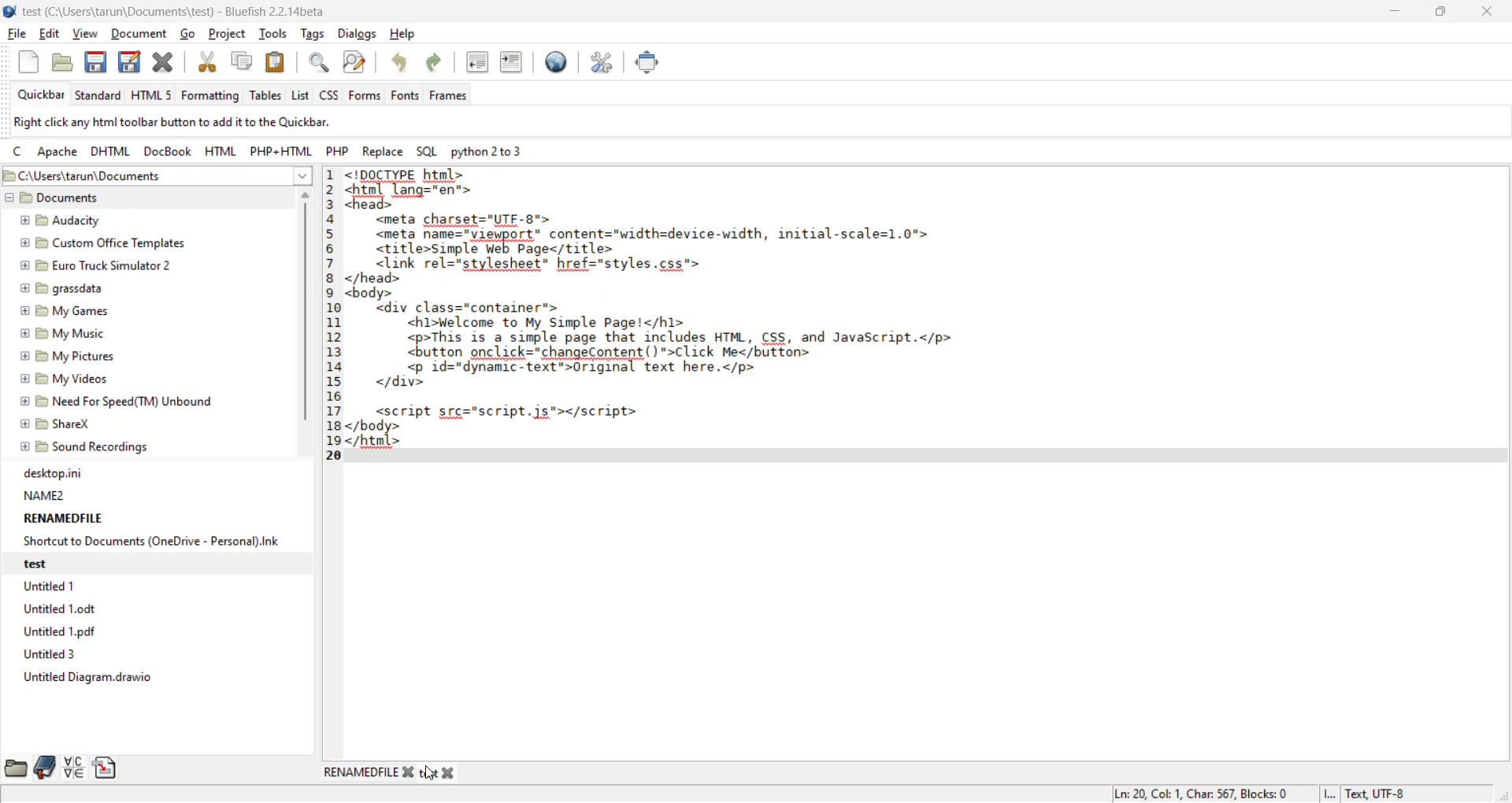 The width and height of the screenshot is (1512, 803). I want to click on replace, so click(384, 151).